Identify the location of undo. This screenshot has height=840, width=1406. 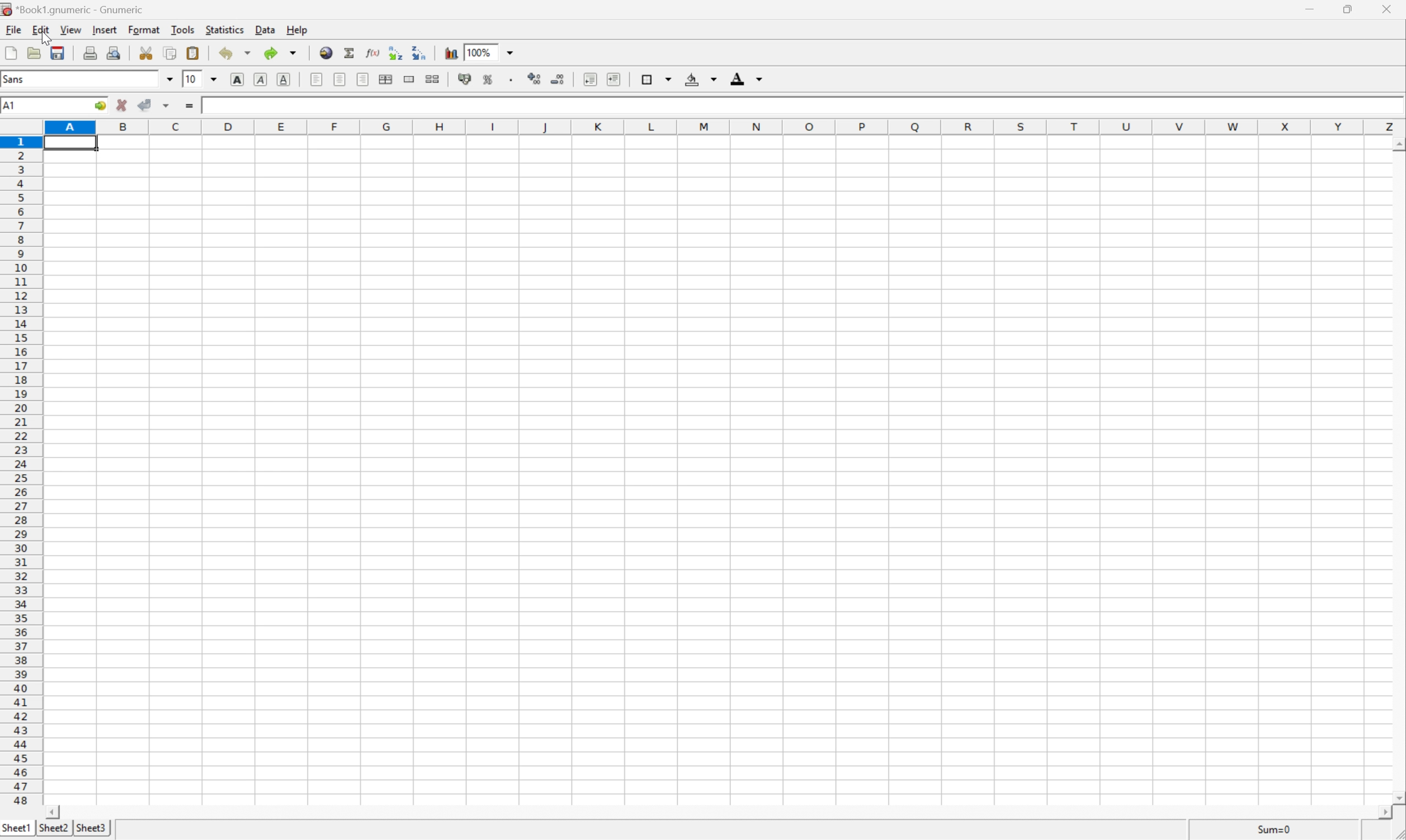
(234, 53).